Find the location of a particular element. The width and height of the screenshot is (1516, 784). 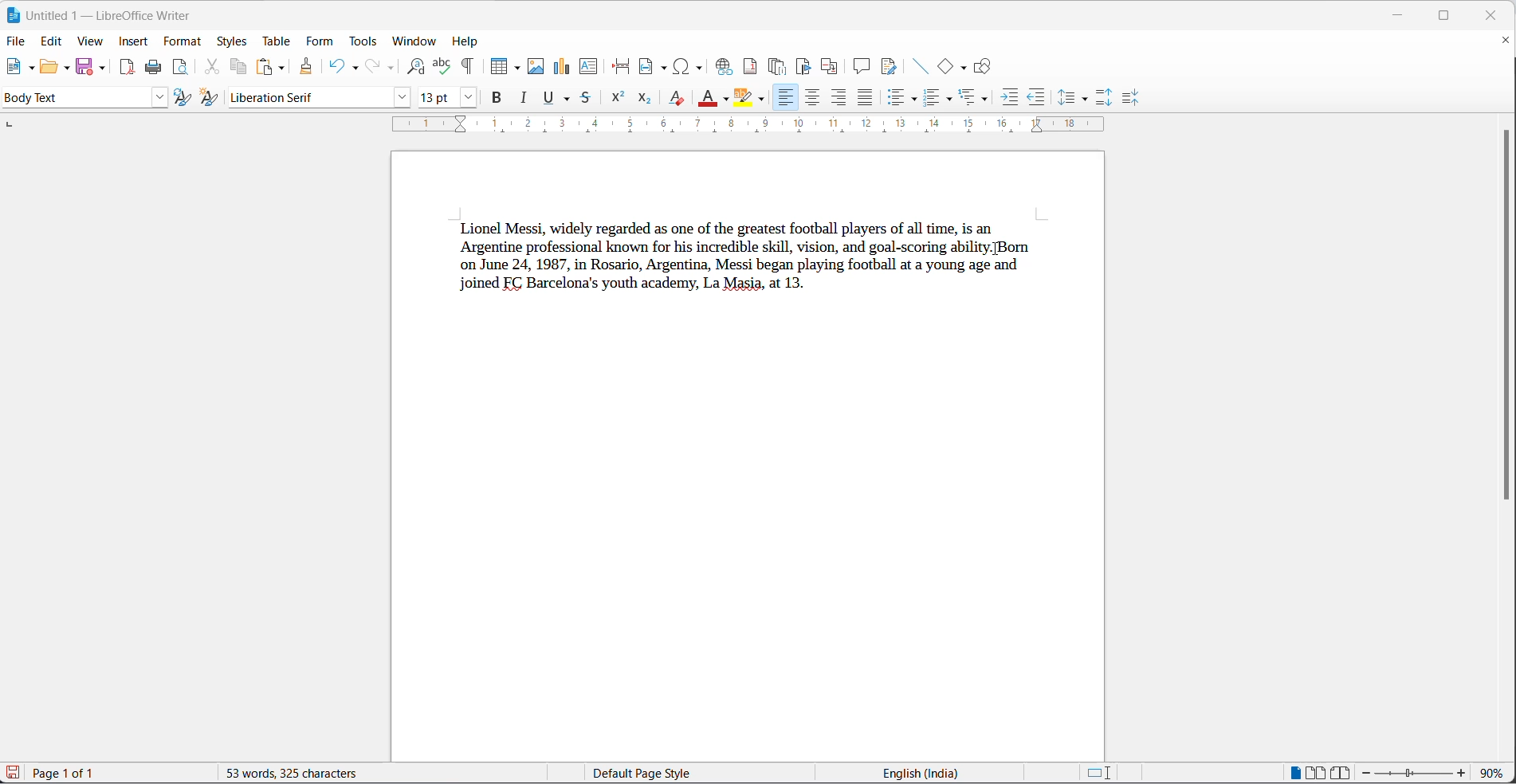

insert hyperlink is located at coordinates (690, 67).